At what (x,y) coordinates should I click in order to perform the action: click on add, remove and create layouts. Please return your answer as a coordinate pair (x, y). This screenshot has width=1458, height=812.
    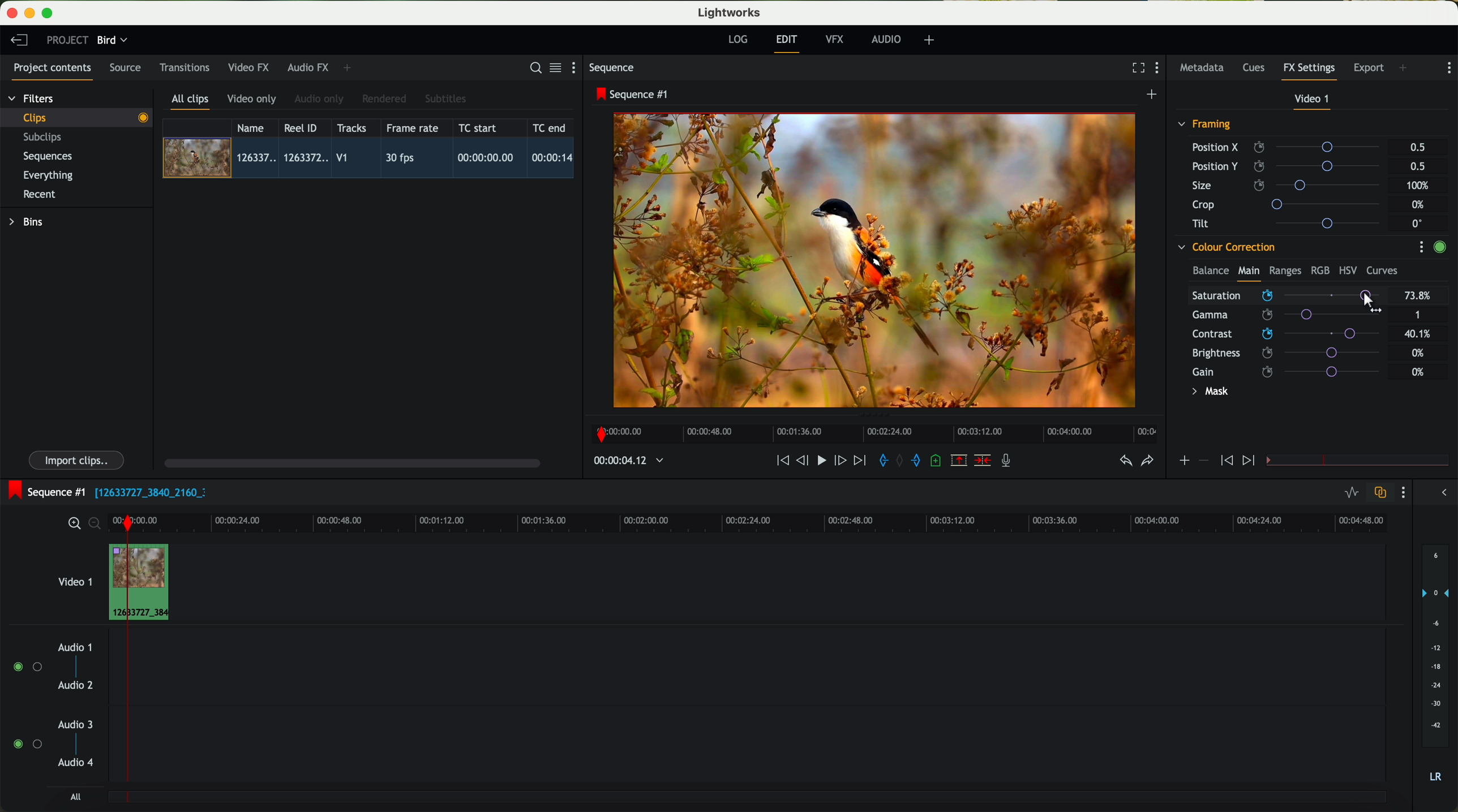
    Looking at the image, I should click on (931, 40).